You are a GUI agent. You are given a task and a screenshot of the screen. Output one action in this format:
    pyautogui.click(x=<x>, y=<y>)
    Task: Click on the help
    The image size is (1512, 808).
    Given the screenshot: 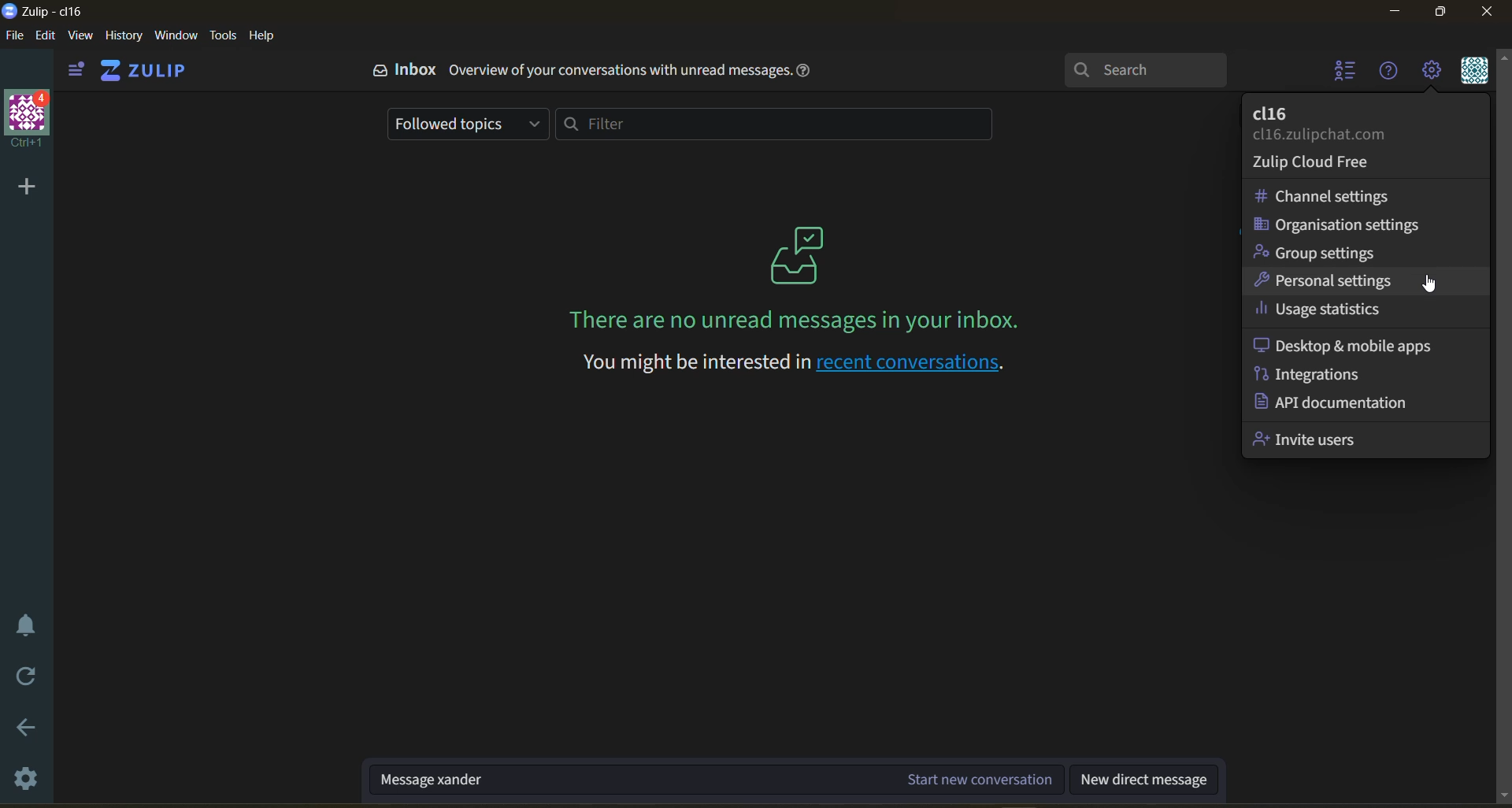 What is the action you would take?
    pyautogui.click(x=805, y=73)
    